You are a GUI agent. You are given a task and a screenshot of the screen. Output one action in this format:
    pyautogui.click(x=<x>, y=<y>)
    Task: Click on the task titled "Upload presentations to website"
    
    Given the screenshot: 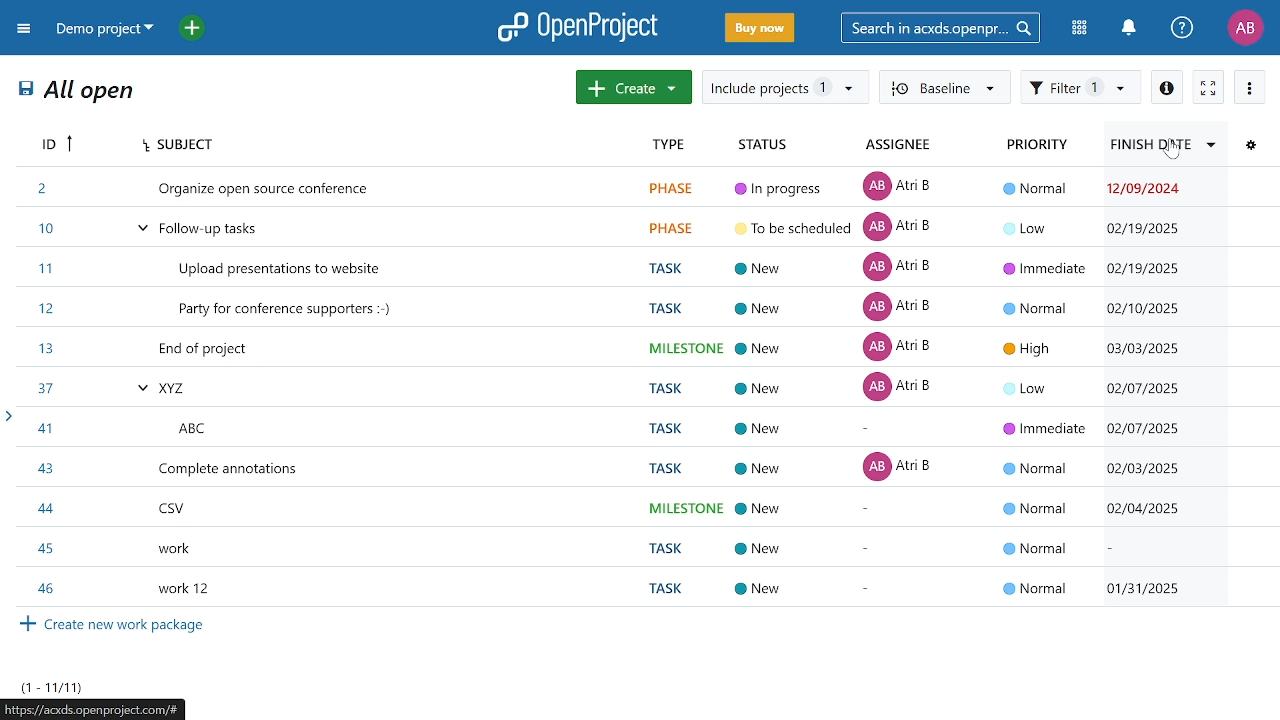 What is the action you would take?
    pyautogui.click(x=648, y=268)
    